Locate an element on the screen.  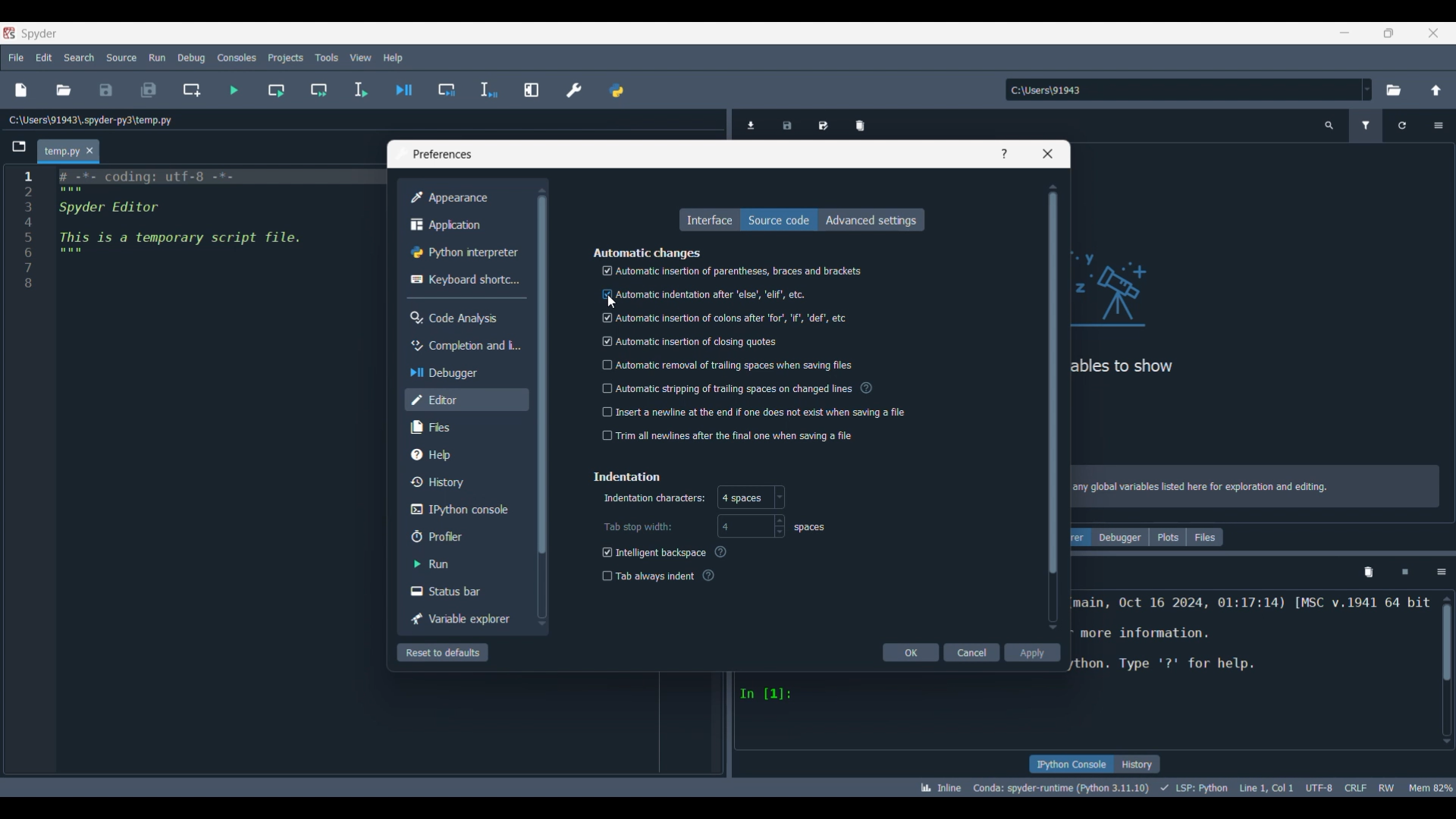
Run current cell is located at coordinates (277, 89).